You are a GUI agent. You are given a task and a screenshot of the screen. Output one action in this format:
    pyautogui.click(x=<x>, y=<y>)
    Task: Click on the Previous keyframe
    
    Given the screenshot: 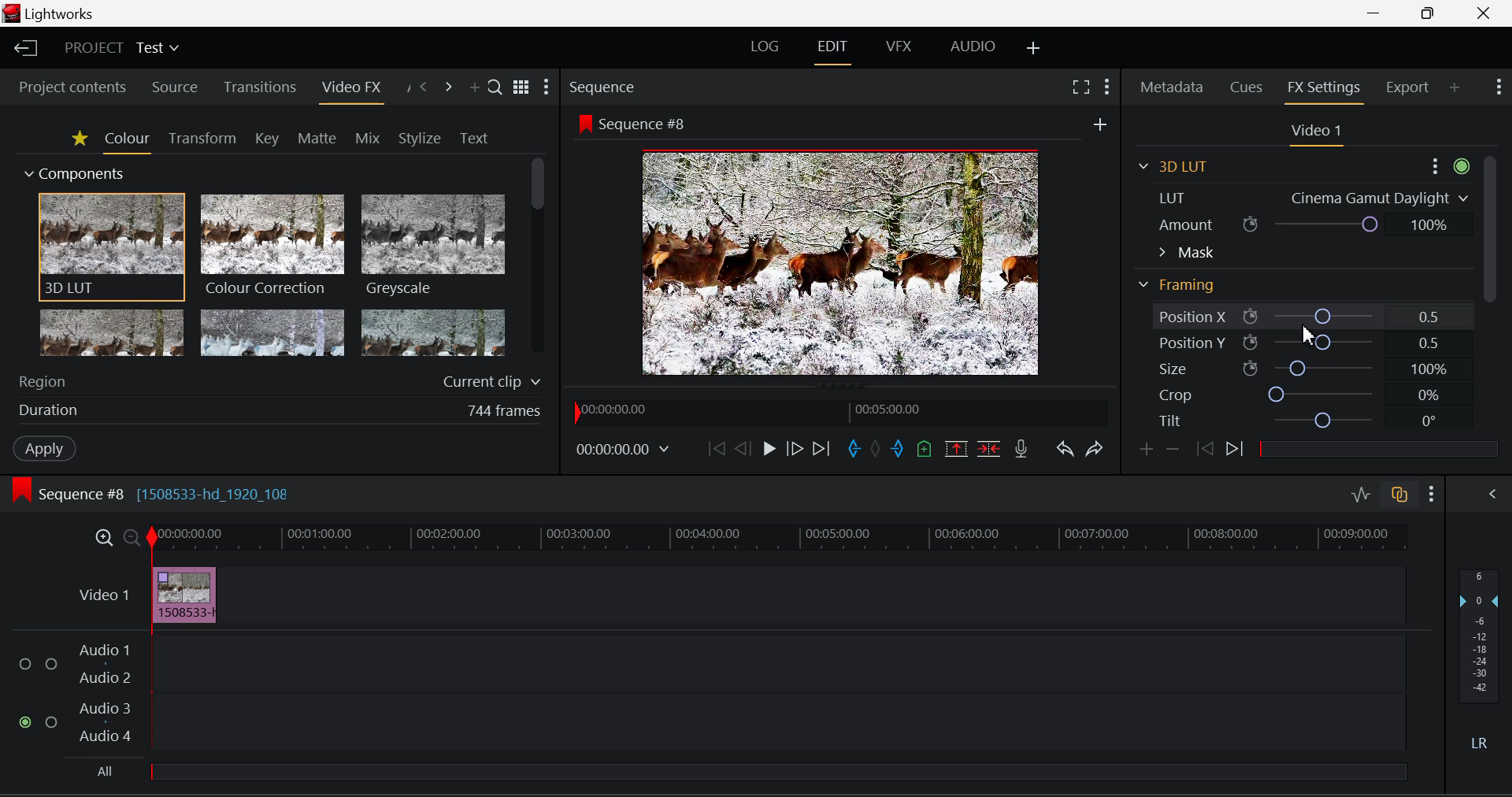 What is the action you would take?
    pyautogui.click(x=1205, y=450)
    